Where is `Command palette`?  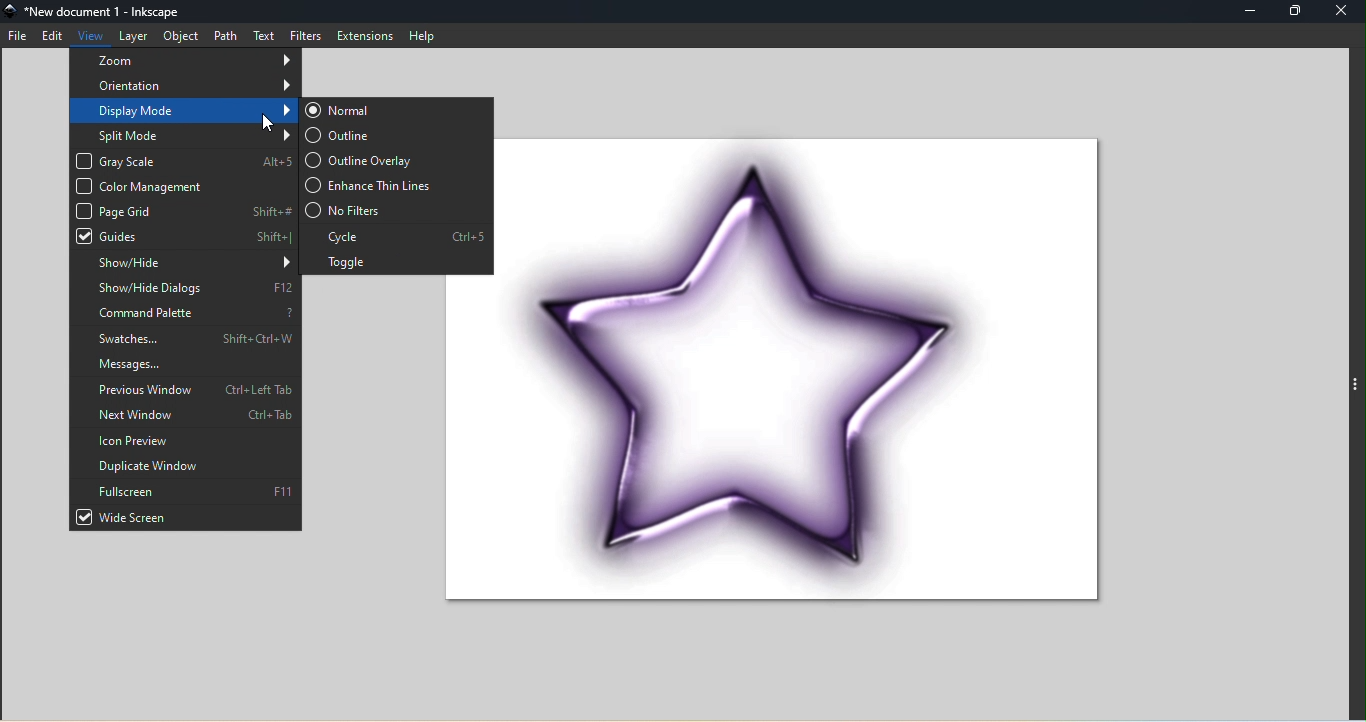 Command palette is located at coordinates (186, 313).